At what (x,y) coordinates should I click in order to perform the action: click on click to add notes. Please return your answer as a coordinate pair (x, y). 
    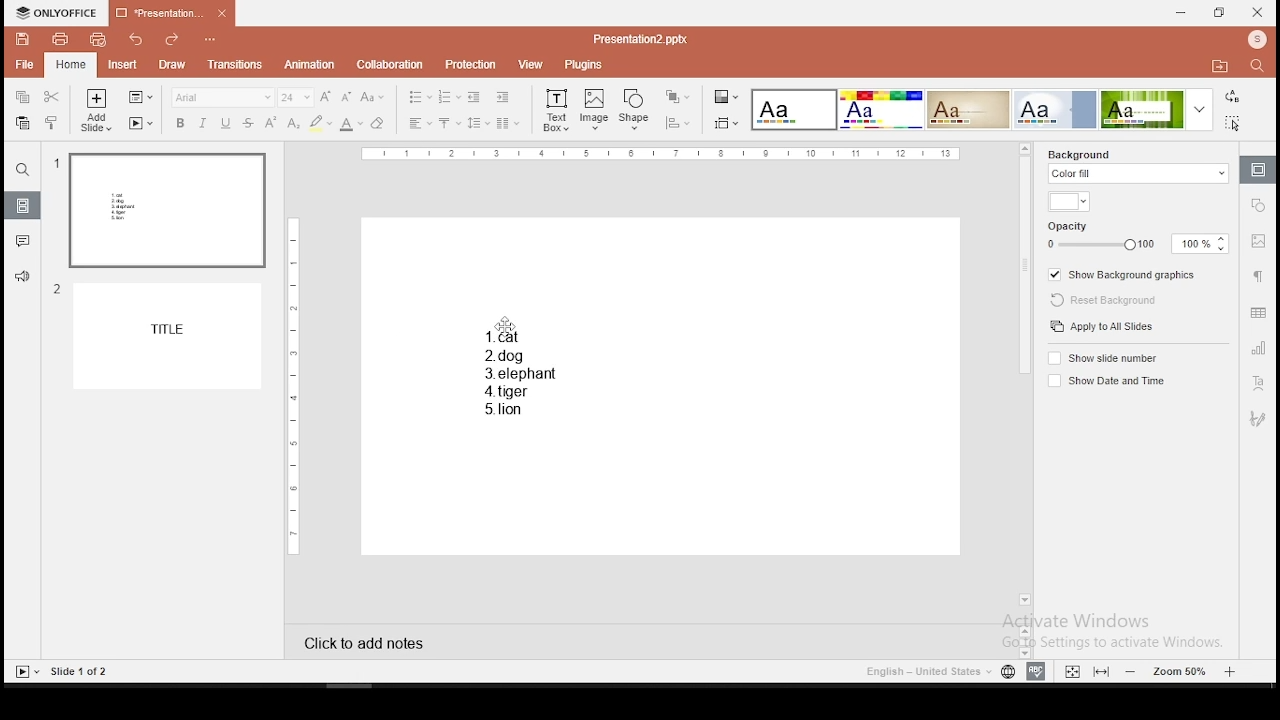
    Looking at the image, I should click on (358, 643).